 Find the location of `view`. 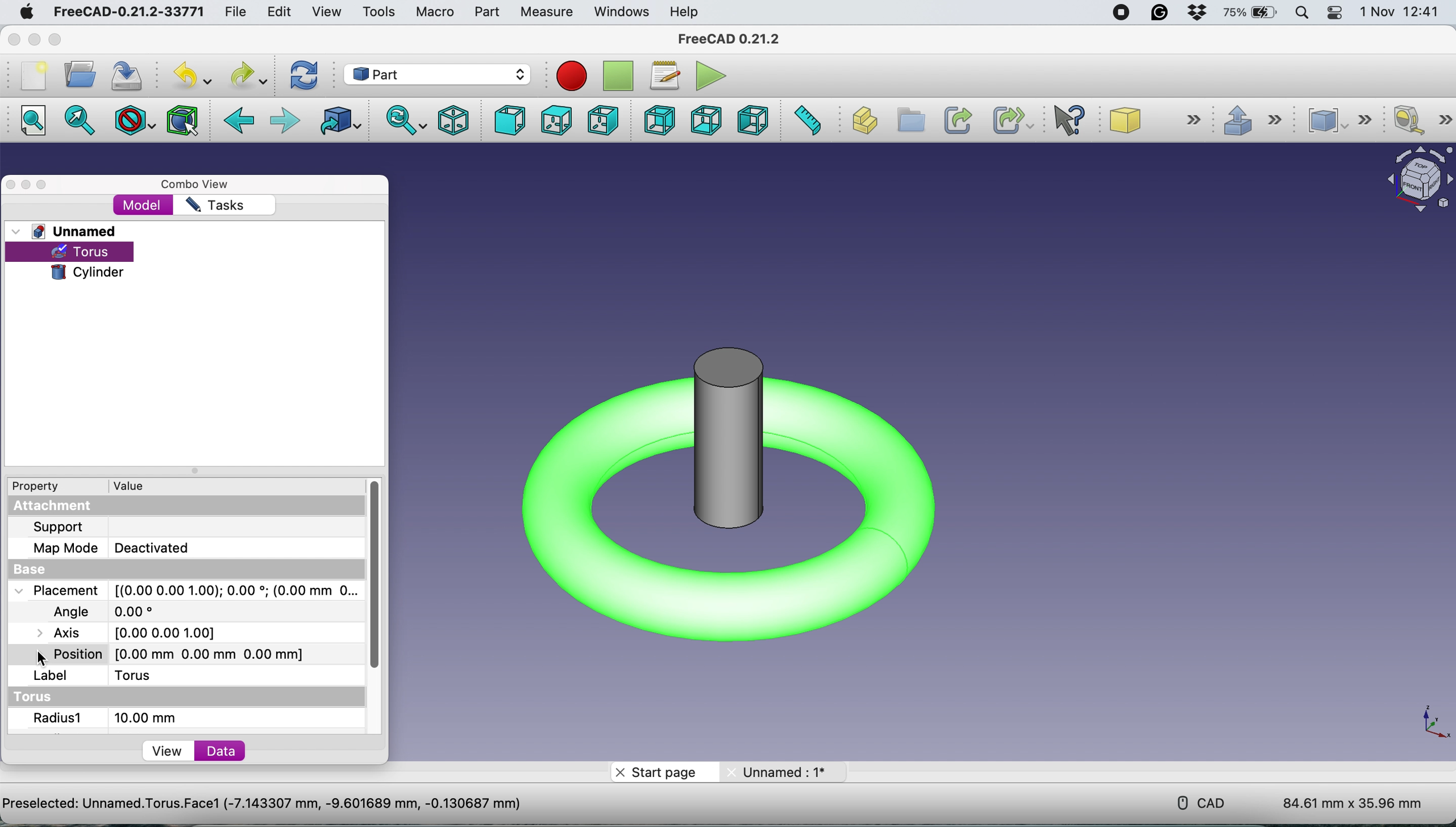

view is located at coordinates (326, 12).